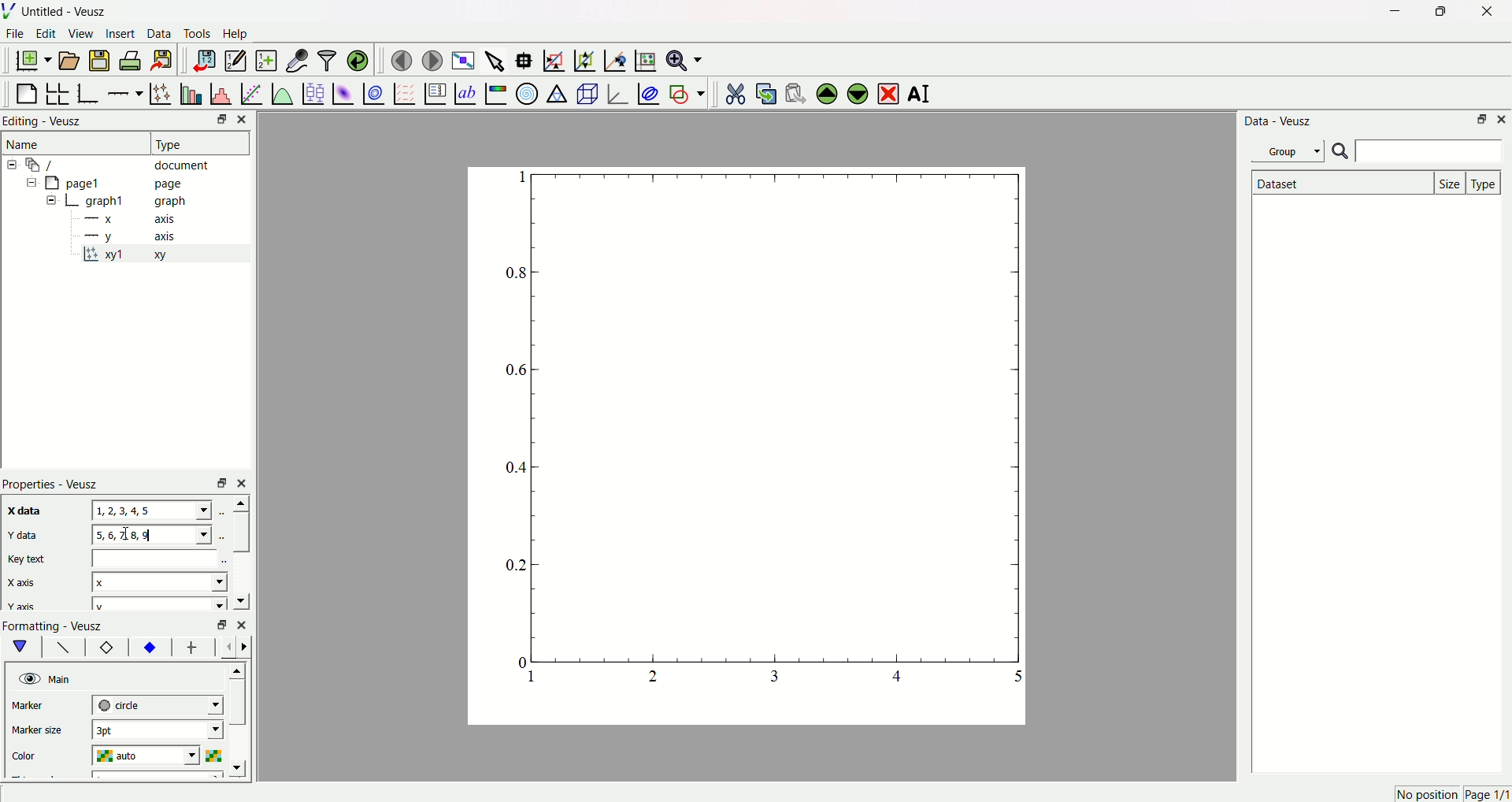 Image resolution: width=1512 pixels, height=802 pixels. What do you see at coordinates (1391, 12) in the screenshot?
I see `Minimize` at bounding box center [1391, 12].